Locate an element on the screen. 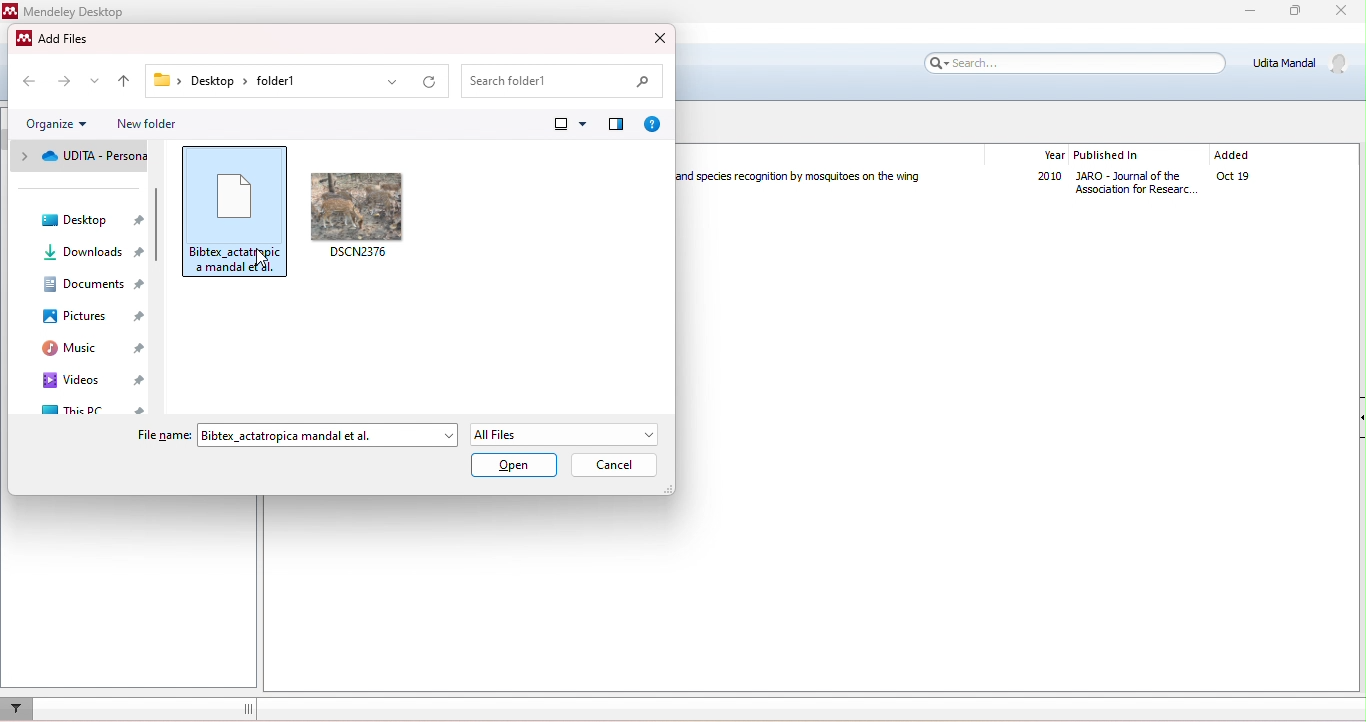 This screenshot has width=1366, height=722. Change dimension of window is located at coordinates (668, 490).